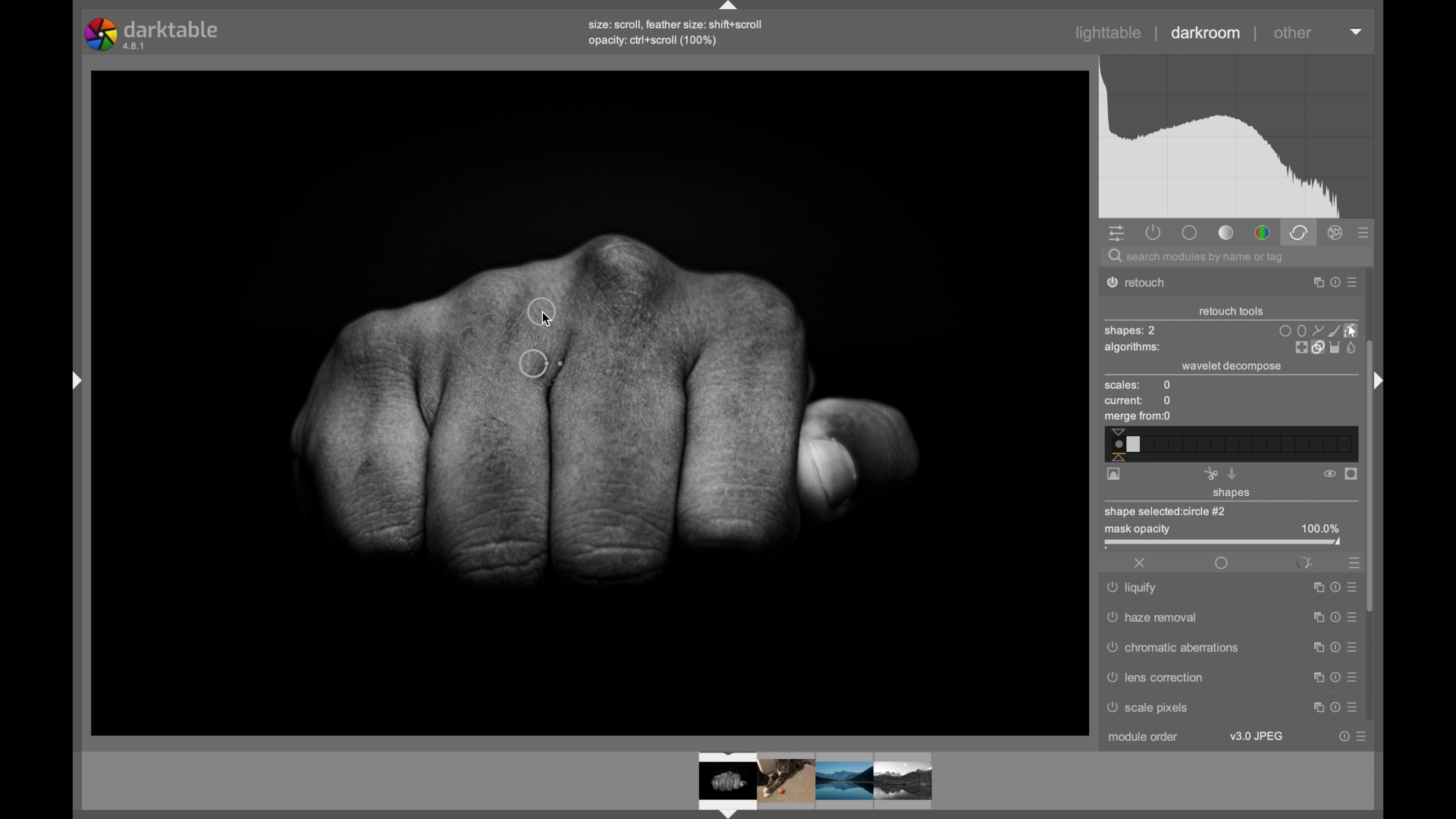 Image resolution: width=1456 pixels, height=819 pixels. I want to click on base, so click(1189, 232).